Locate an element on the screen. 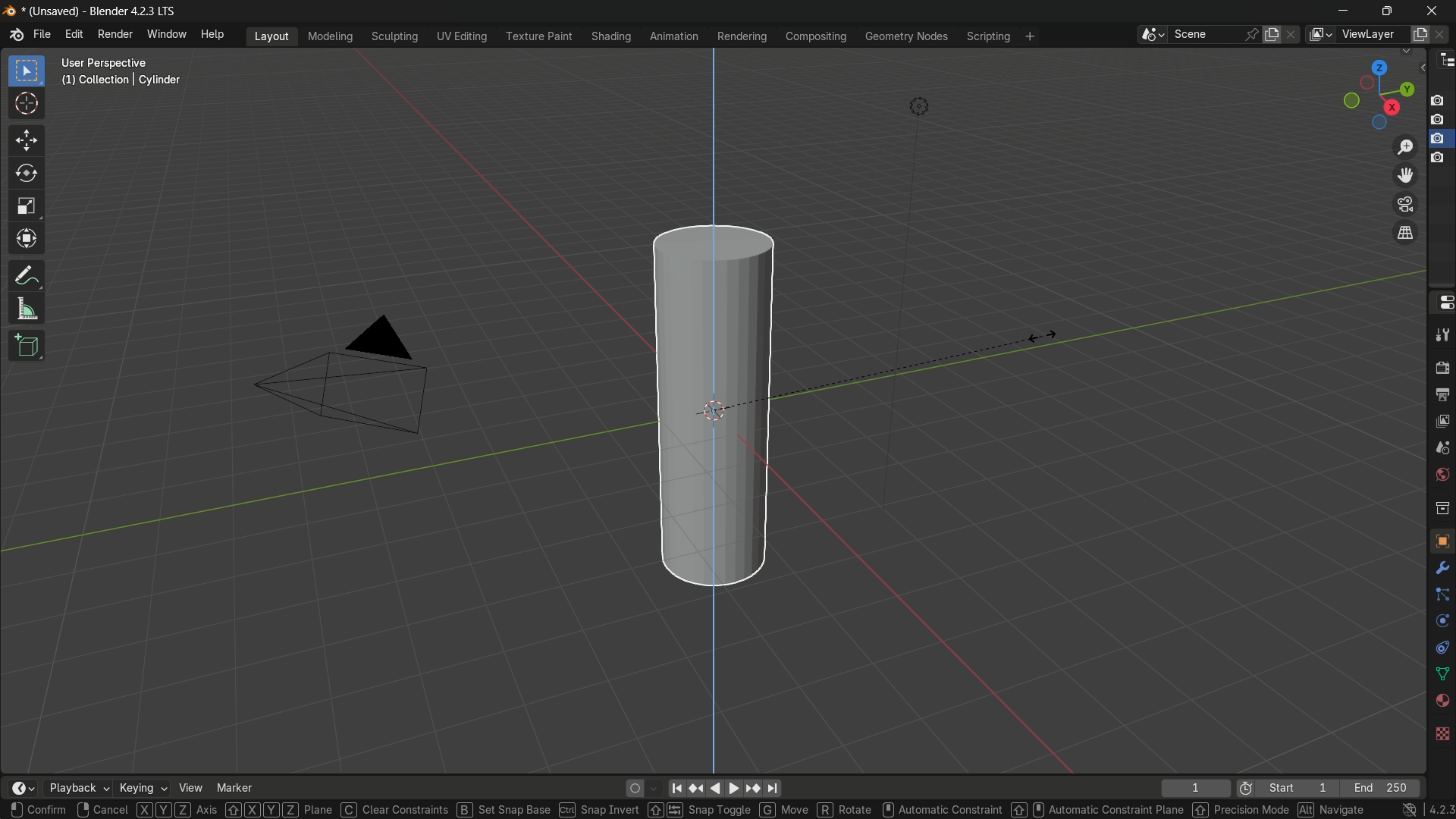 Image resolution: width=1456 pixels, height=819 pixels. left click confirm is located at coordinates (39, 810).